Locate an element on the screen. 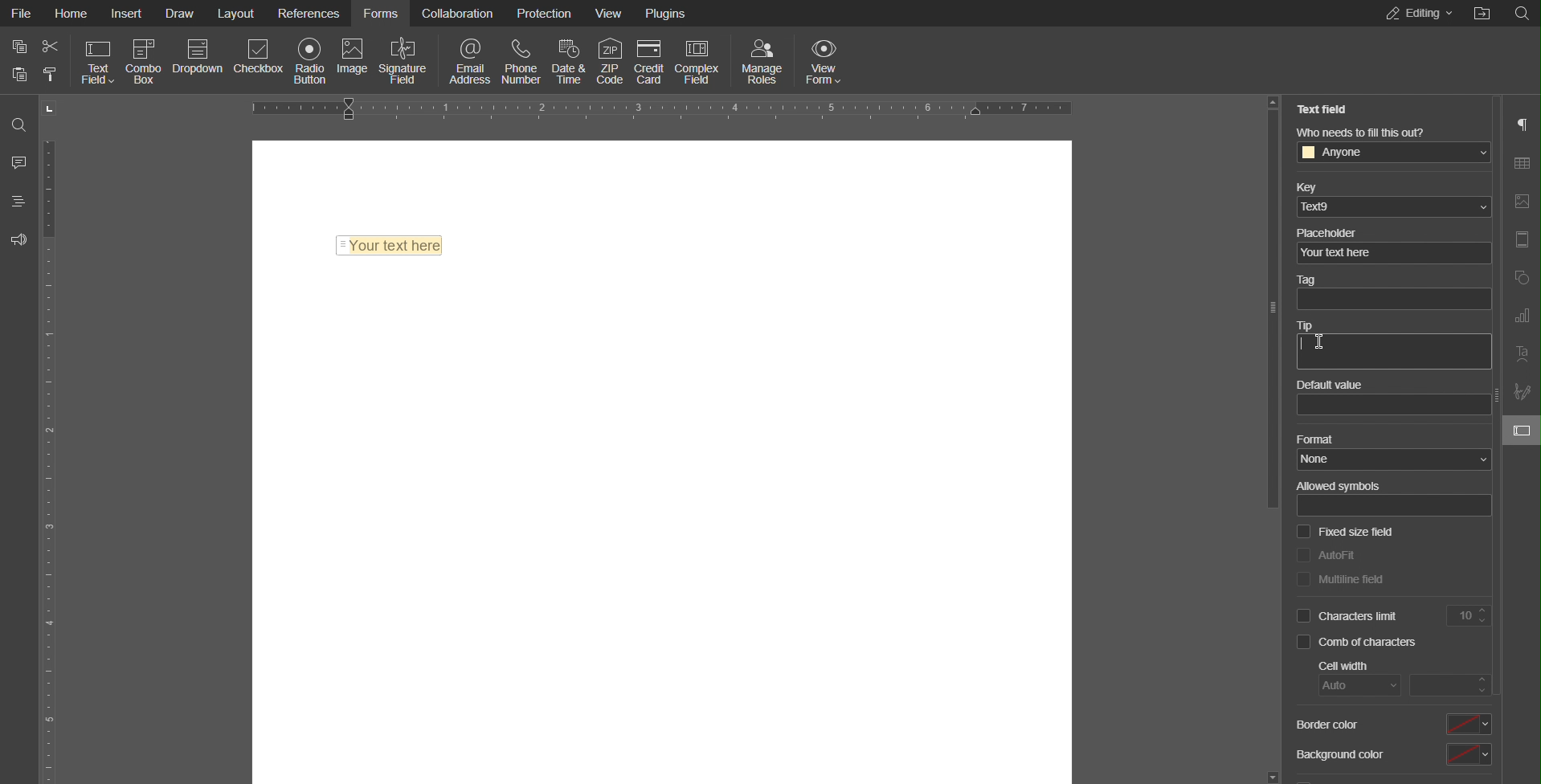  input cell width  is located at coordinates (1453, 685).